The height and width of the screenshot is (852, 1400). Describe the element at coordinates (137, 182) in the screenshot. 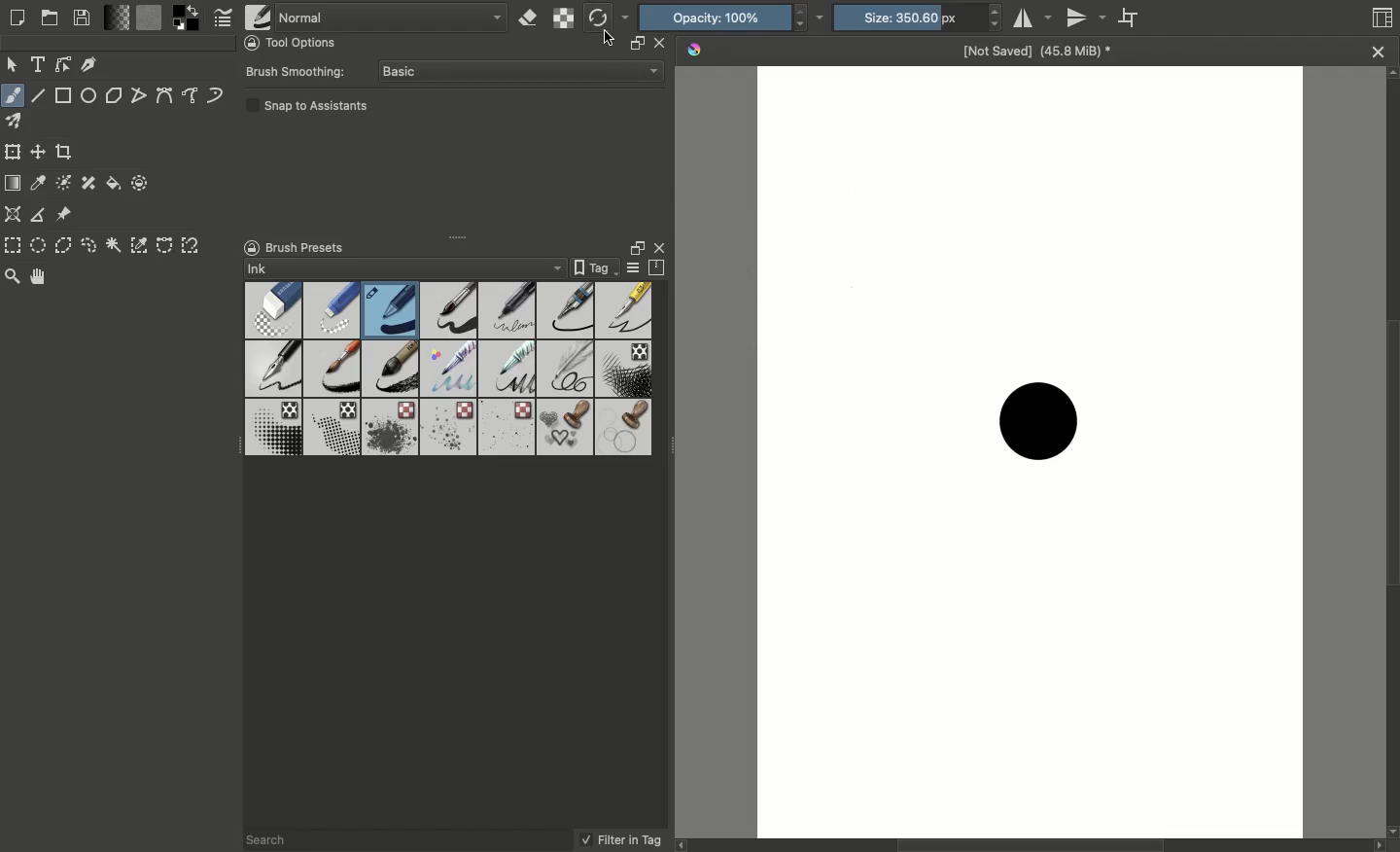

I see `Enclose and fill ` at that location.